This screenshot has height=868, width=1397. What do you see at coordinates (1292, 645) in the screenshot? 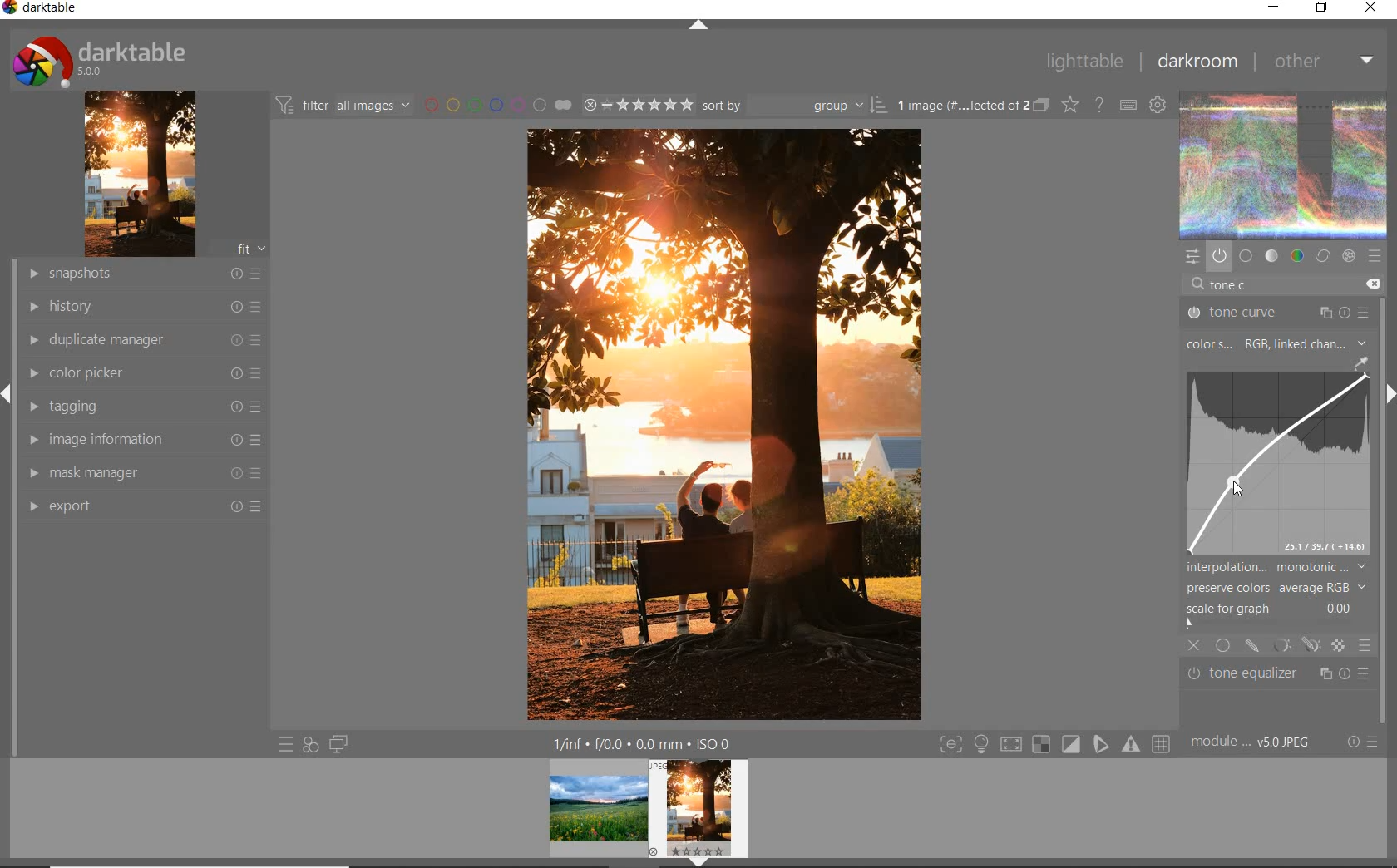
I see `mask options` at bounding box center [1292, 645].